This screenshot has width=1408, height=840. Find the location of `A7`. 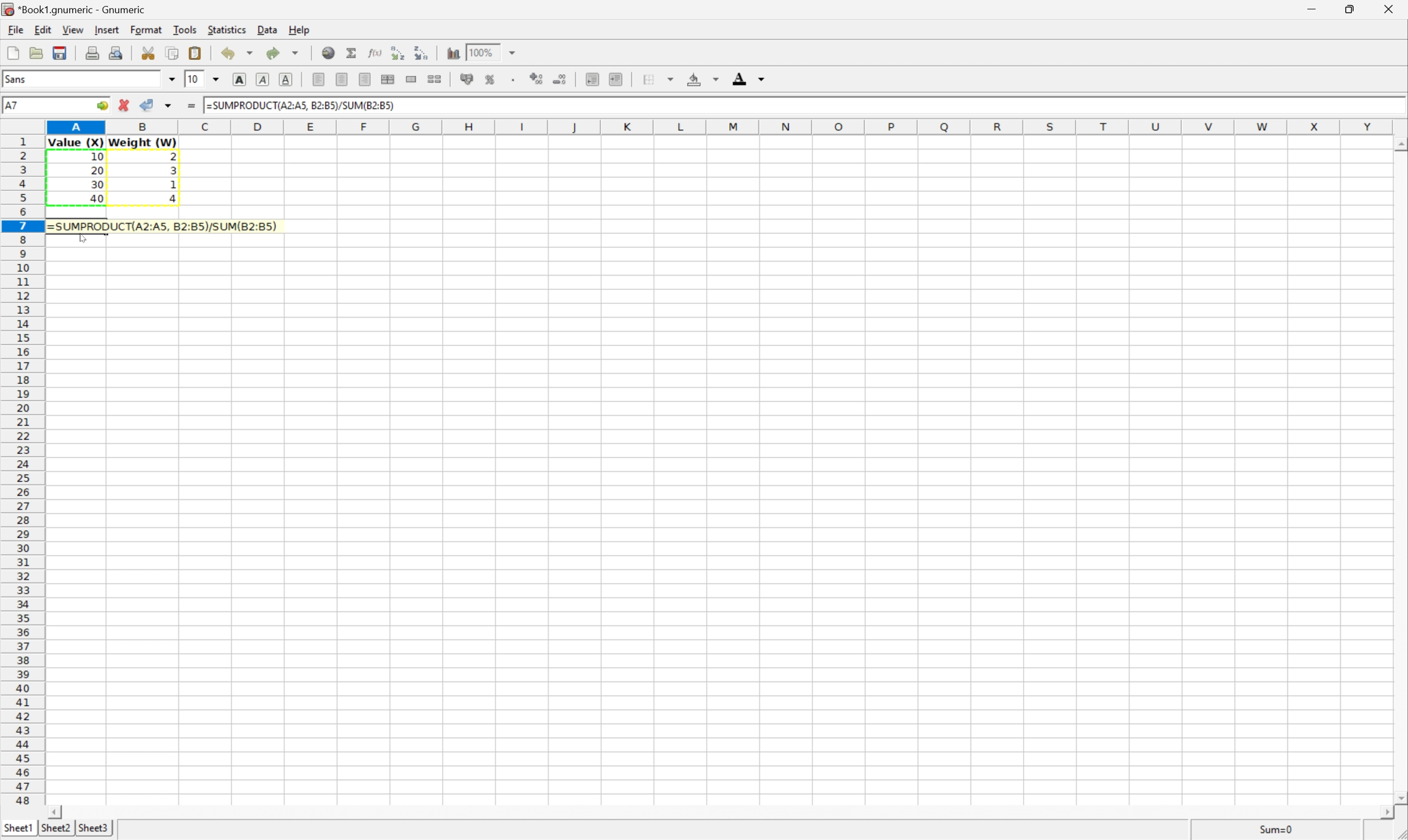

A7 is located at coordinates (11, 104).